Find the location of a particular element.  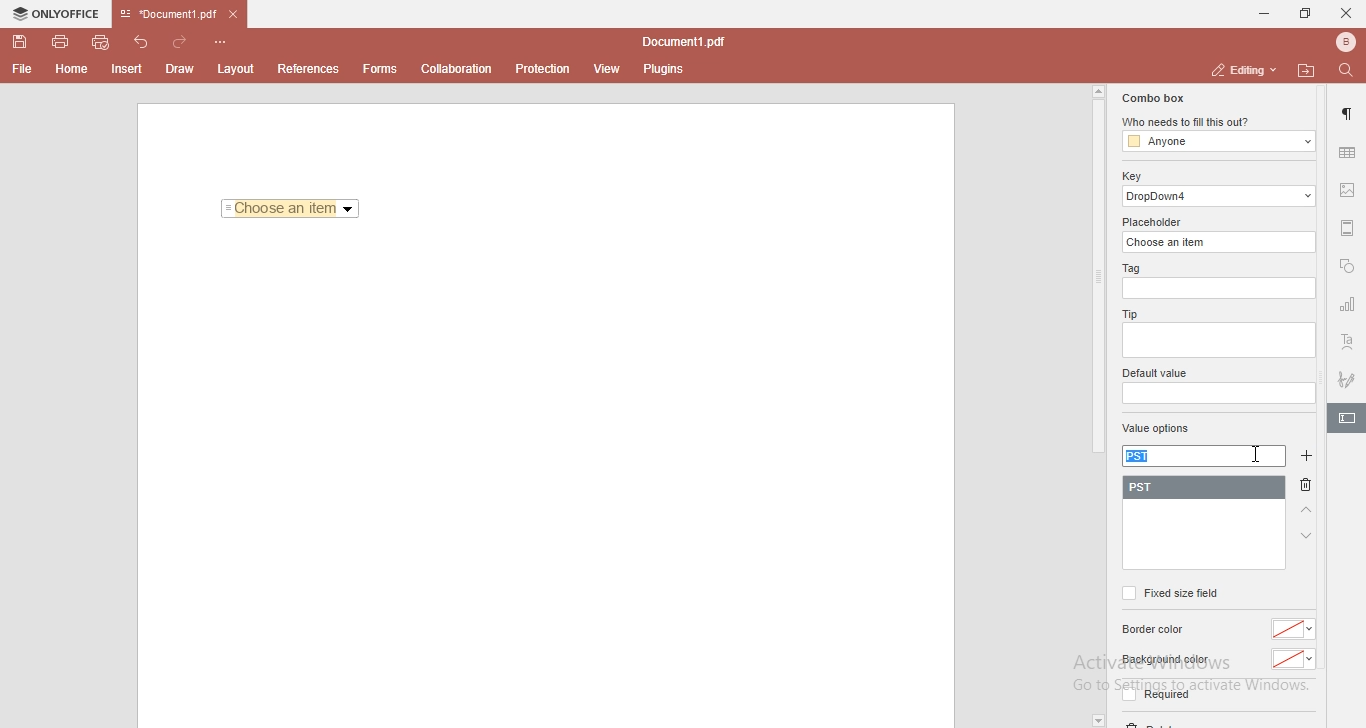

background color is located at coordinates (1164, 660).